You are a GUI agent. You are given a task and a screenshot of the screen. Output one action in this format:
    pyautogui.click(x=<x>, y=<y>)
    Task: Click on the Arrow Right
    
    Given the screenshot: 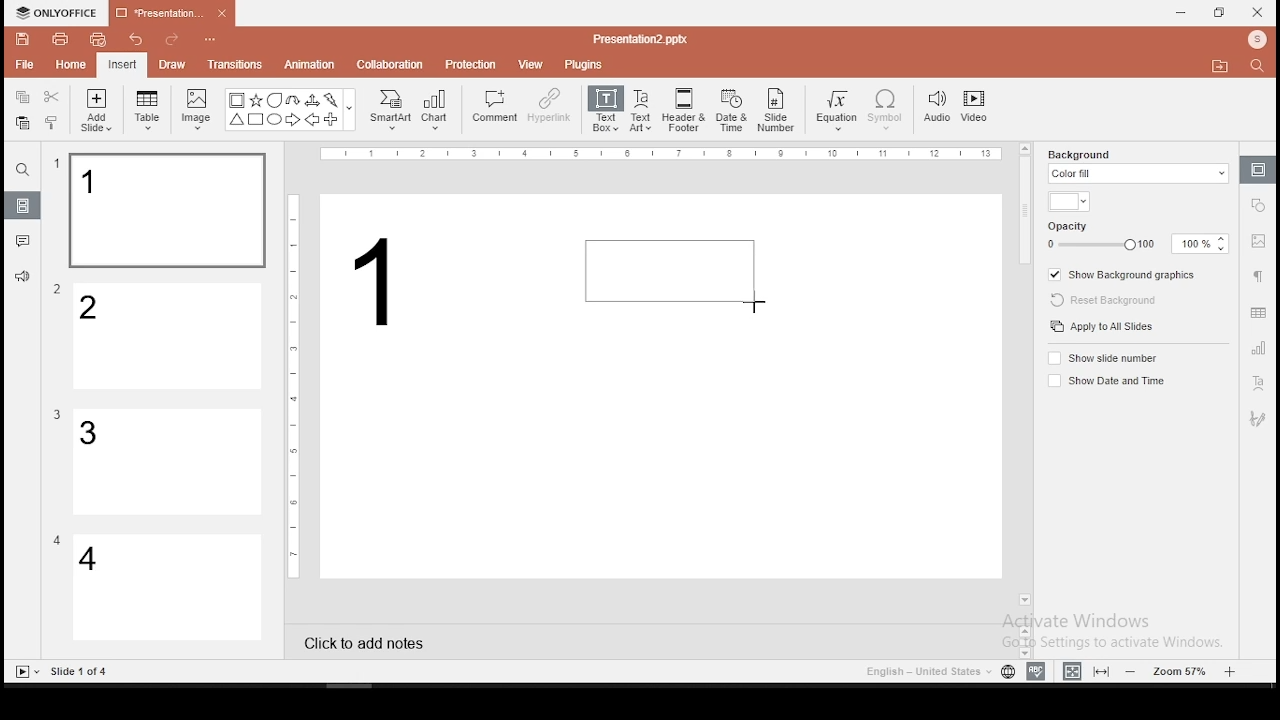 What is the action you would take?
    pyautogui.click(x=294, y=121)
    